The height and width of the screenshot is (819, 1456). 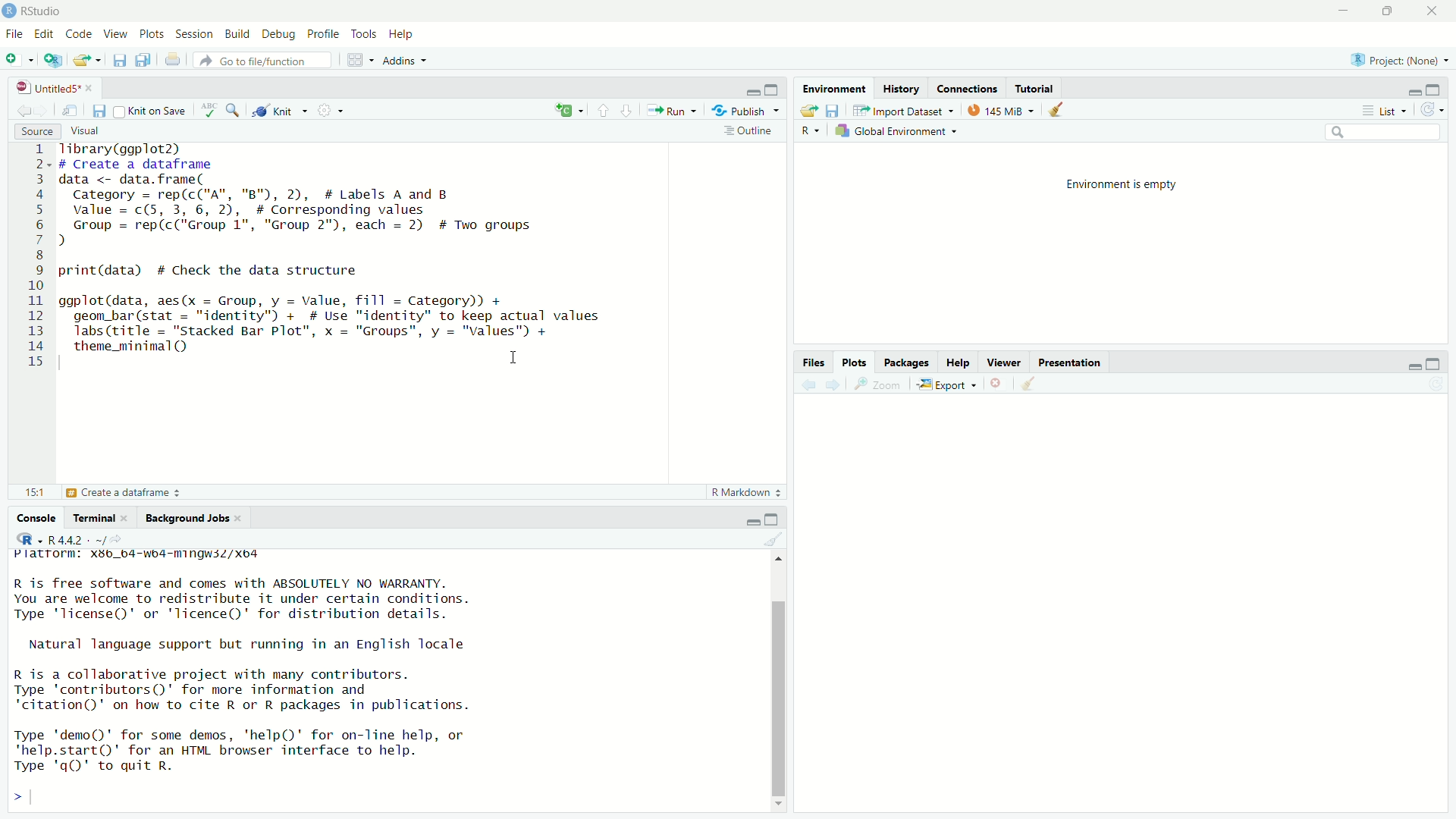 What do you see at coordinates (1395, 12) in the screenshot?
I see `Maximize` at bounding box center [1395, 12].